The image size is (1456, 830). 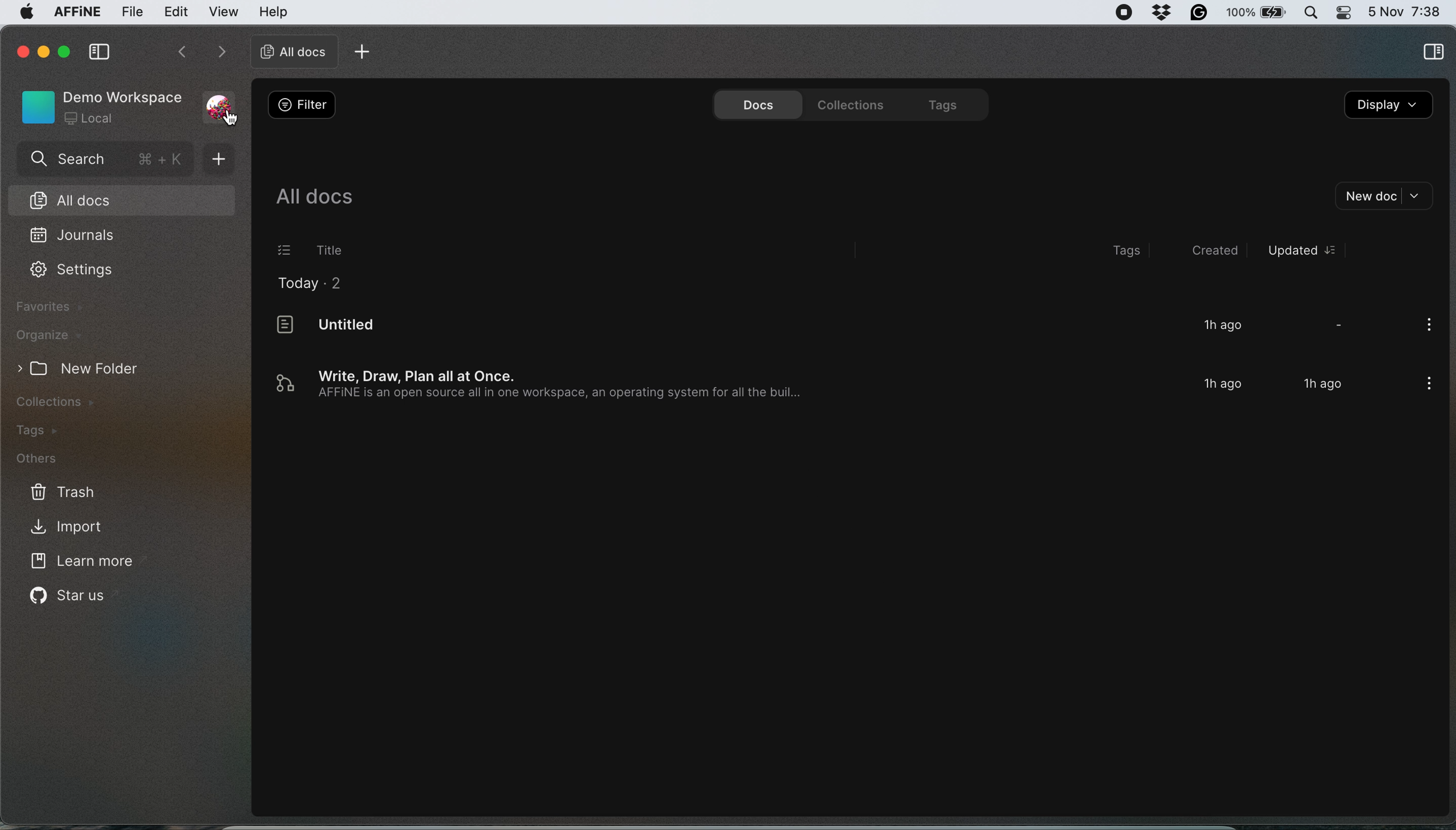 I want to click on new folder, so click(x=91, y=368).